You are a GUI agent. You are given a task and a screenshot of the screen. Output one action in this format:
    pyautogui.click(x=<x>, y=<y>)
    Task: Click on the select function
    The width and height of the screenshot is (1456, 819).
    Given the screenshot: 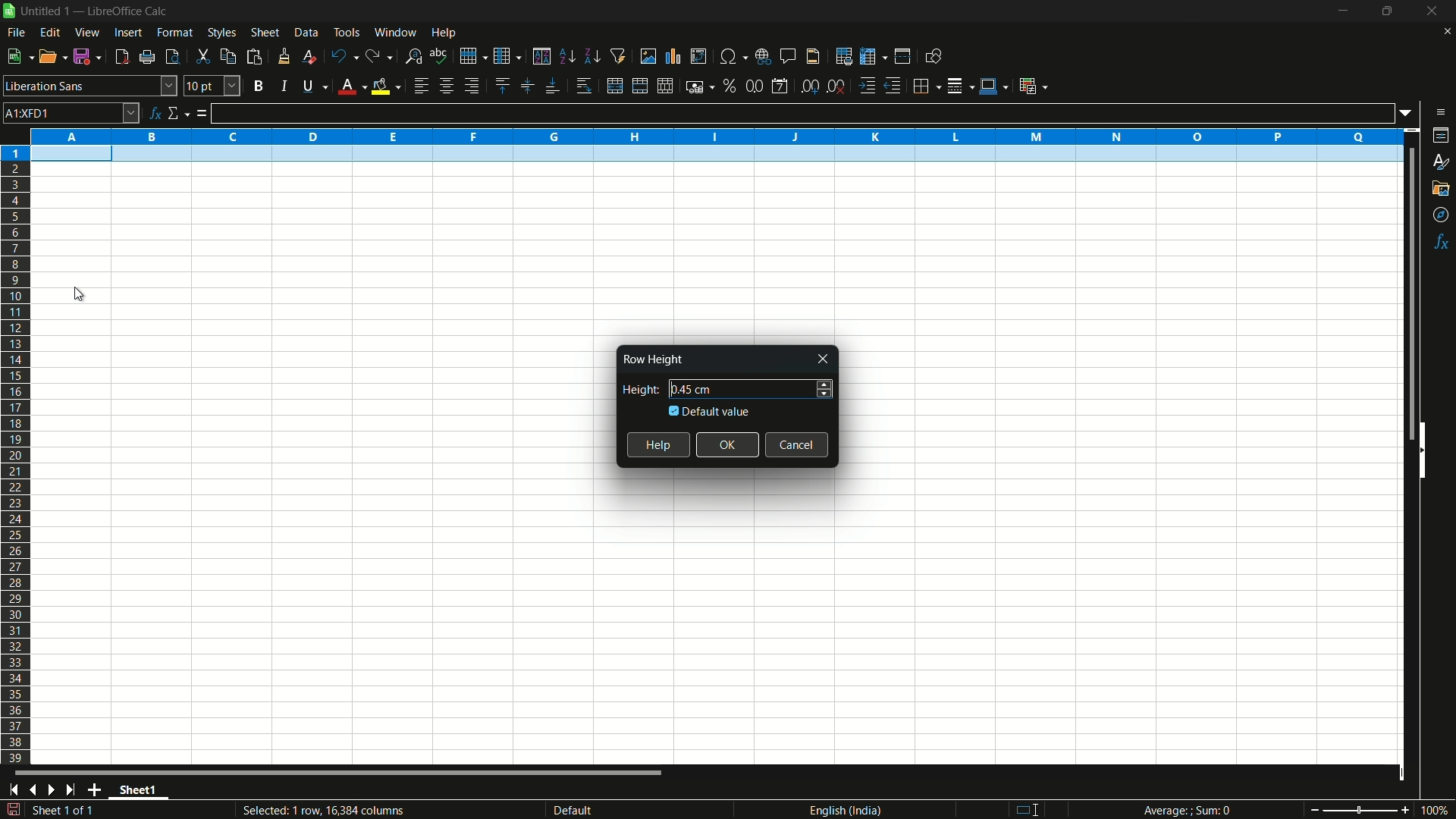 What is the action you would take?
    pyautogui.click(x=178, y=114)
    